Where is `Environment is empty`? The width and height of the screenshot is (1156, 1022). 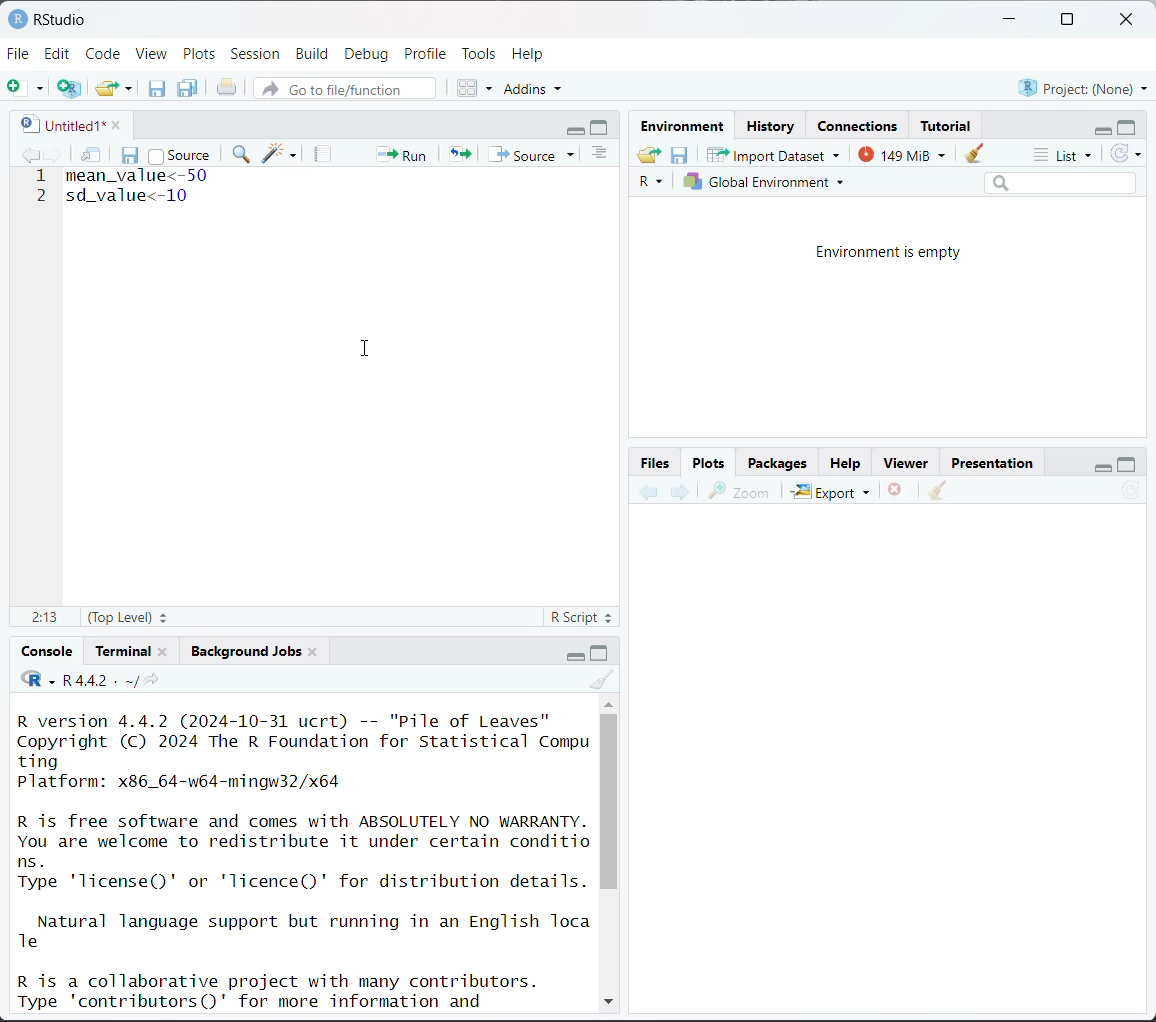 Environment is empty is located at coordinates (890, 253).